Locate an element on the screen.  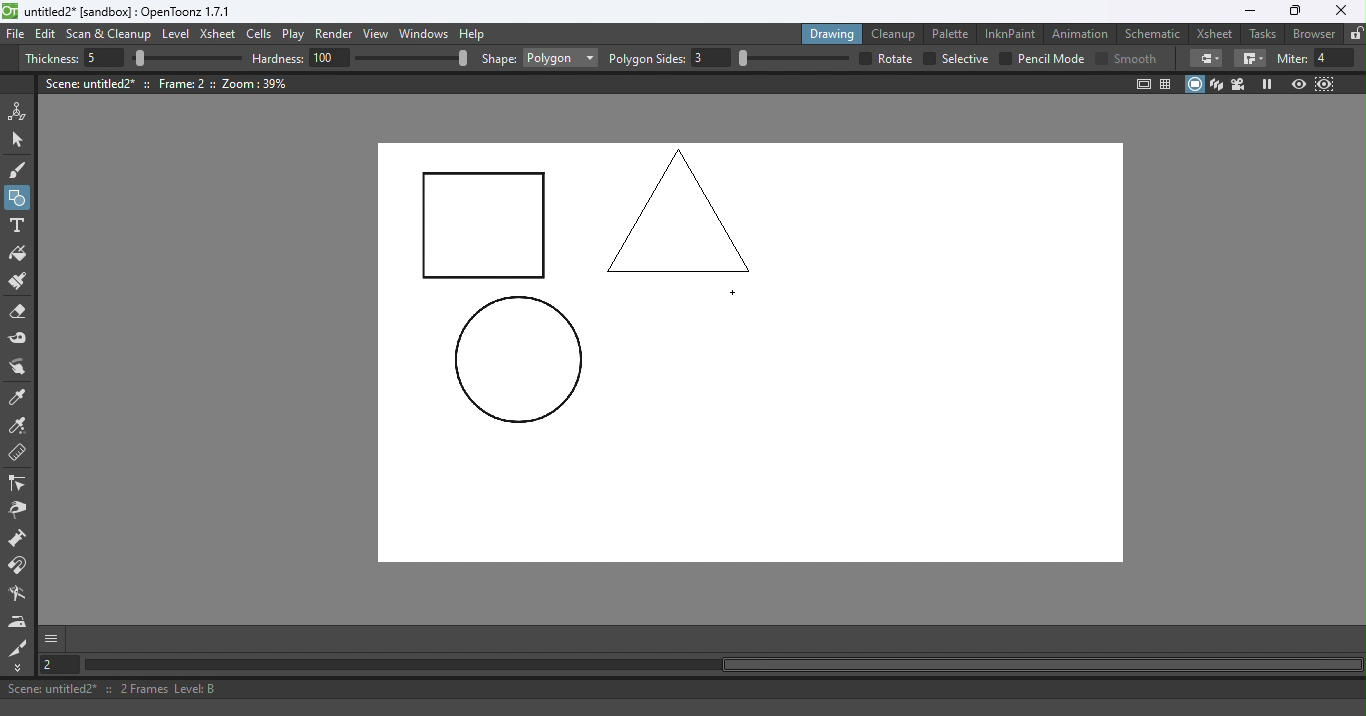
Tape tool is located at coordinates (21, 340).